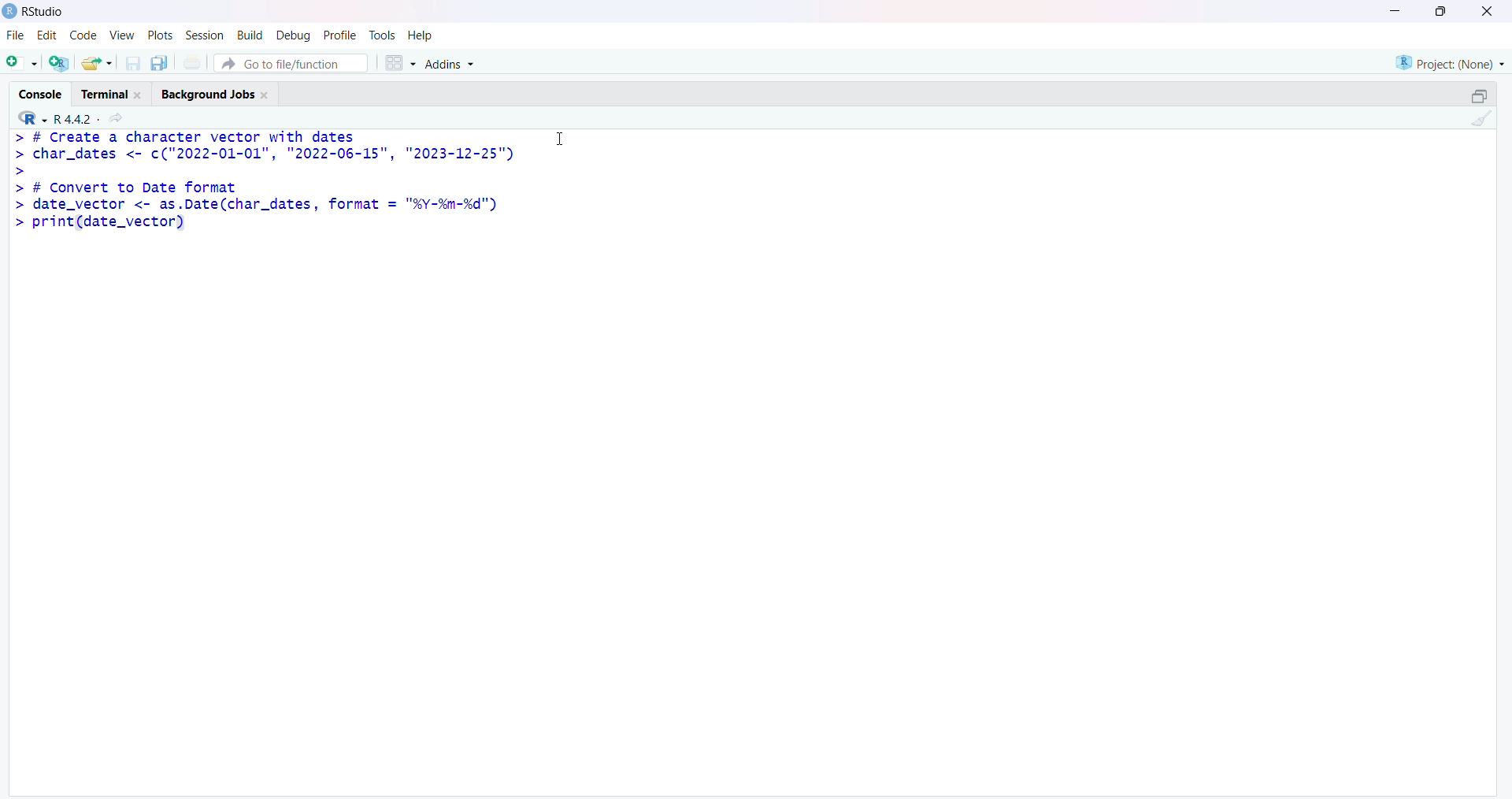  What do you see at coordinates (454, 65) in the screenshot?
I see `Addins` at bounding box center [454, 65].